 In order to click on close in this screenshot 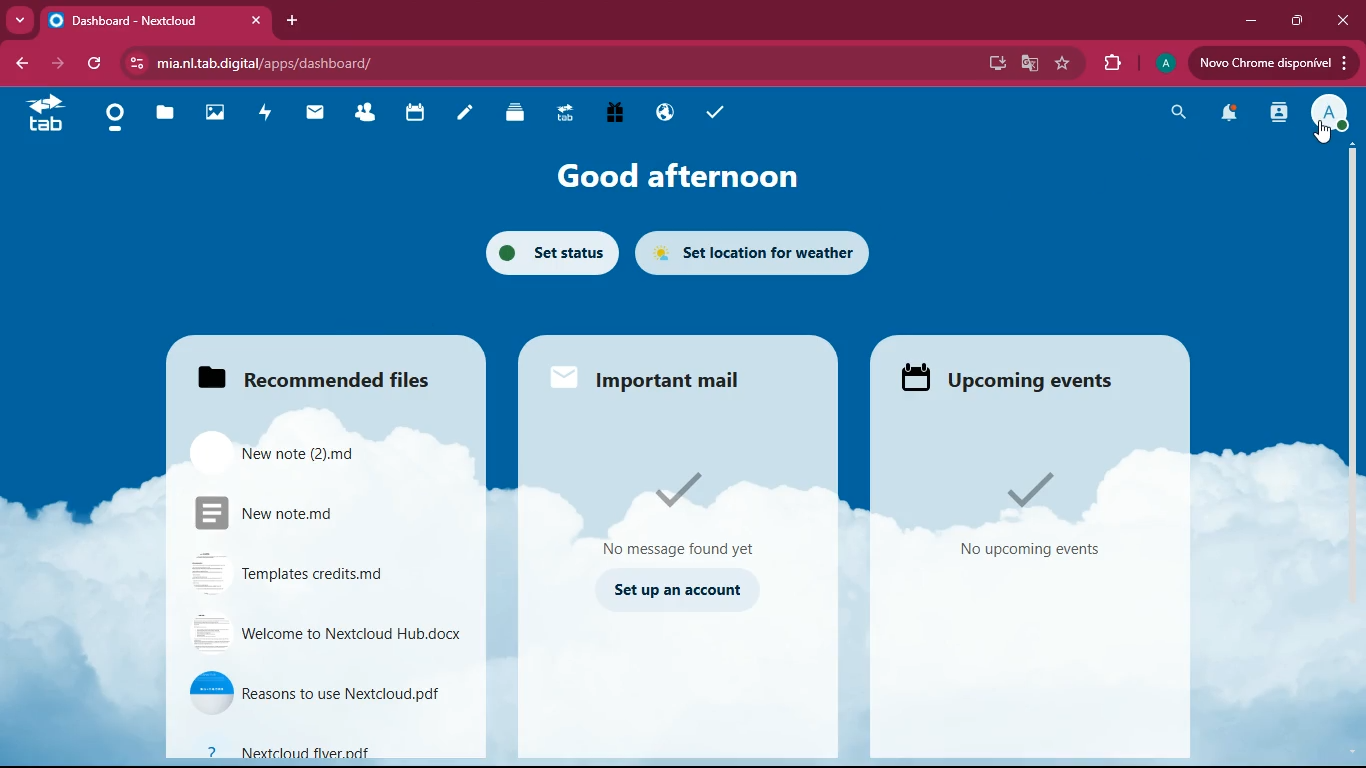, I will do `click(1344, 21)`.